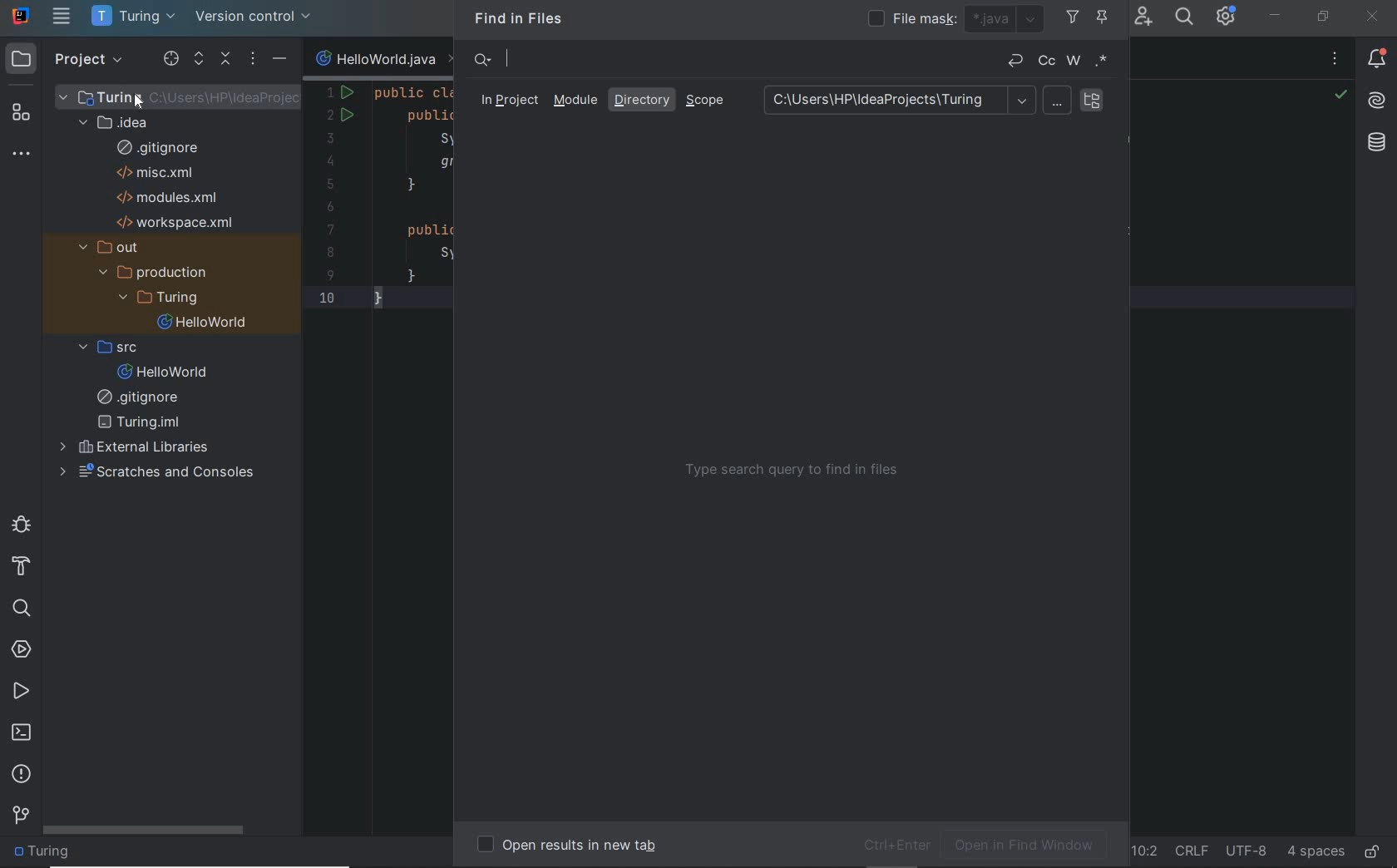 This screenshot has width=1397, height=868. What do you see at coordinates (224, 60) in the screenshot?
I see `Sidebar panel control` at bounding box center [224, 60].